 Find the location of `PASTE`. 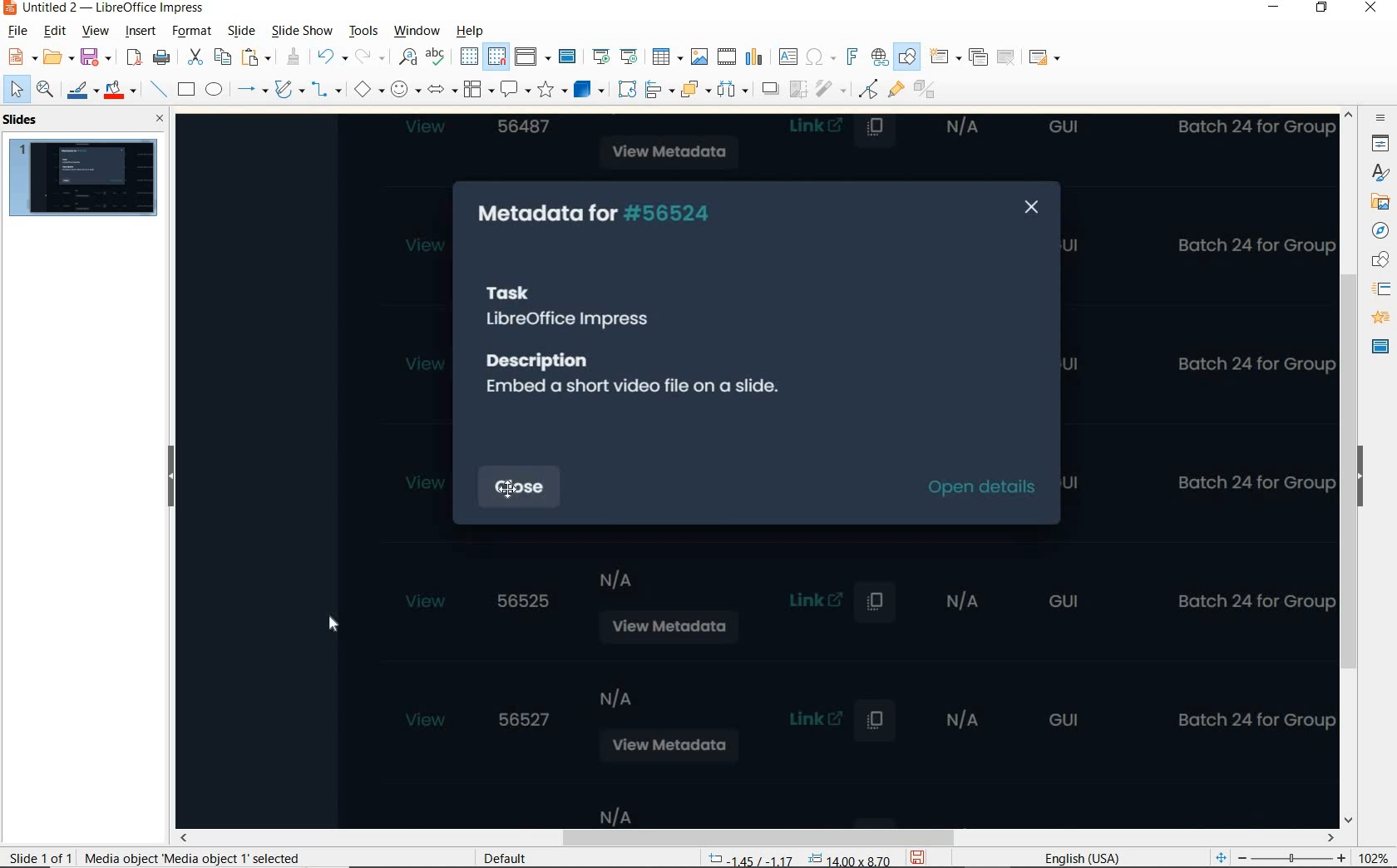

PASTE is located at coordinates (257, 57).